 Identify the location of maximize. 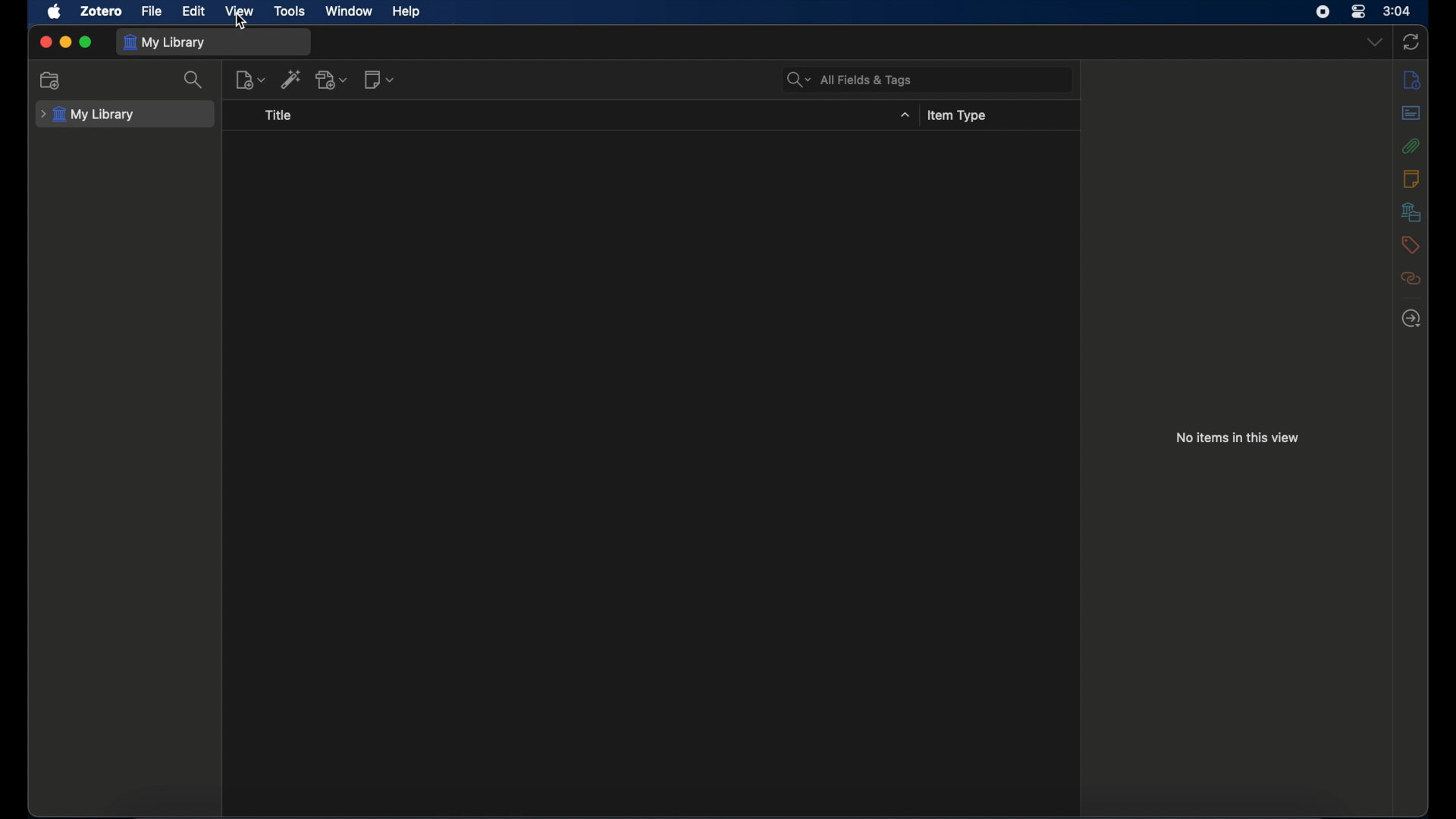
(86, 42).